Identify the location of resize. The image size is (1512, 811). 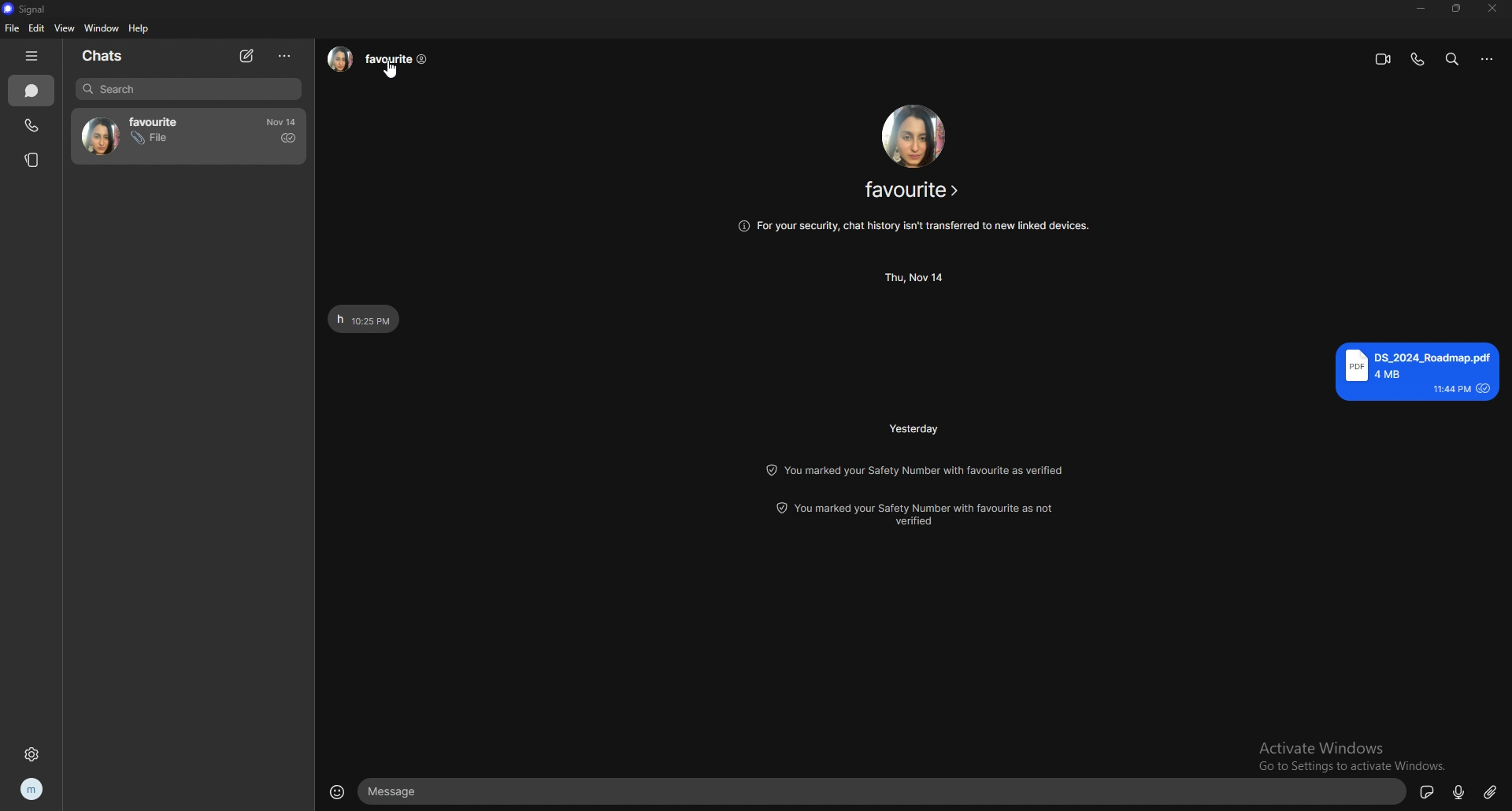
(1458, 8).